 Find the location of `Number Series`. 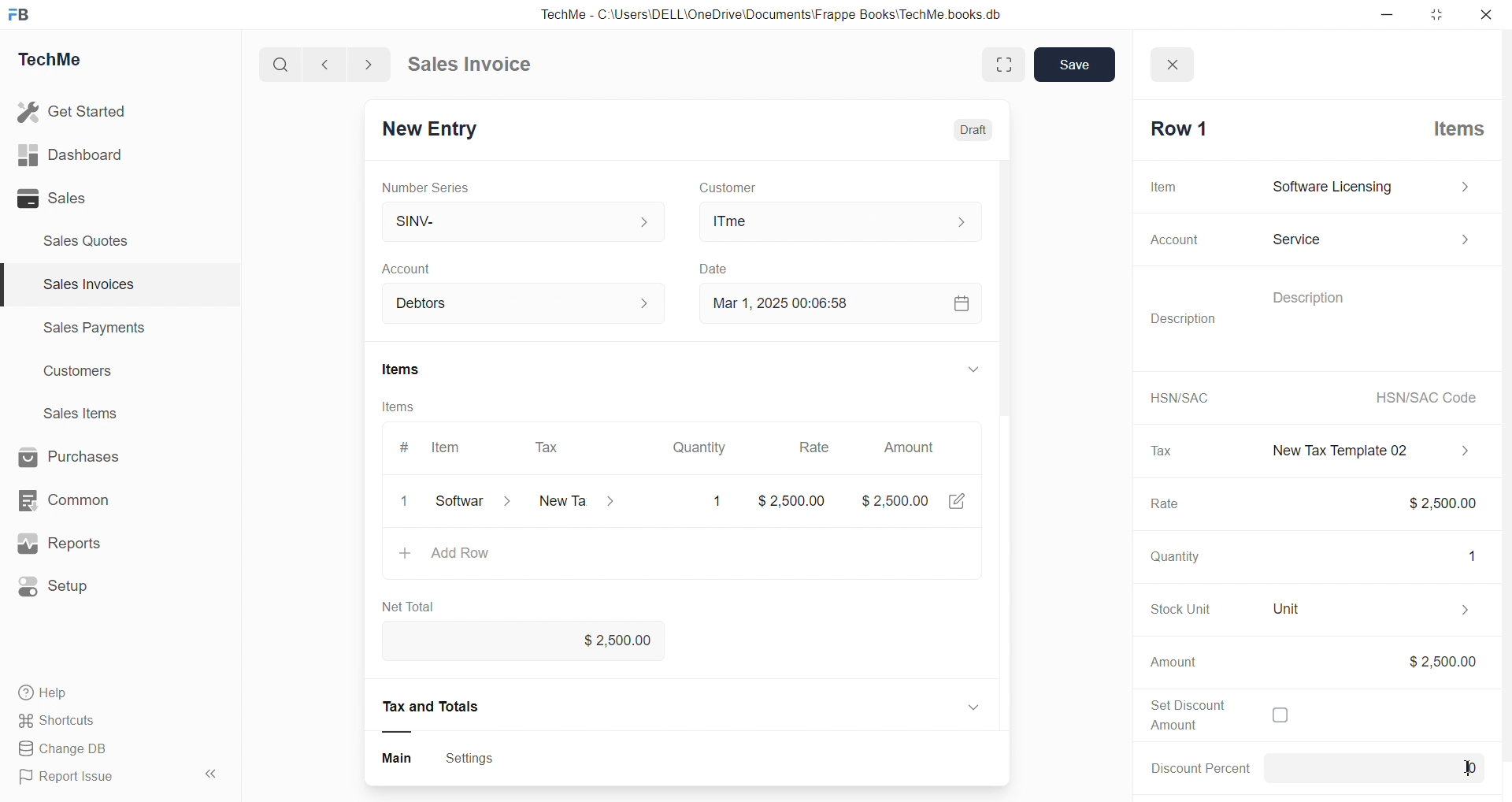

Number Series is located at coordinates (433, 188).